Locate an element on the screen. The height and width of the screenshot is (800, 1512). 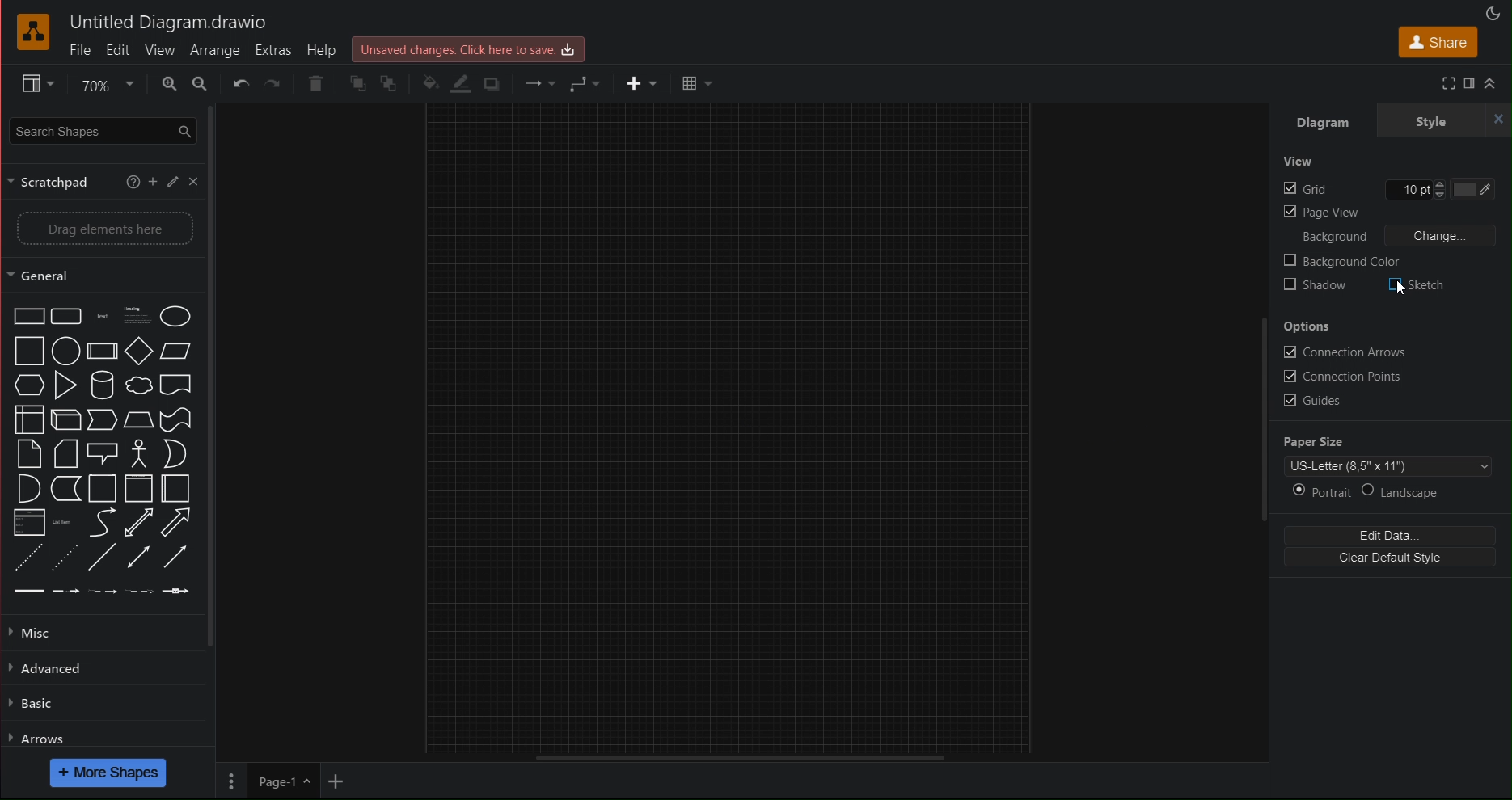
parallelogram is located at coordinates (177, 352).